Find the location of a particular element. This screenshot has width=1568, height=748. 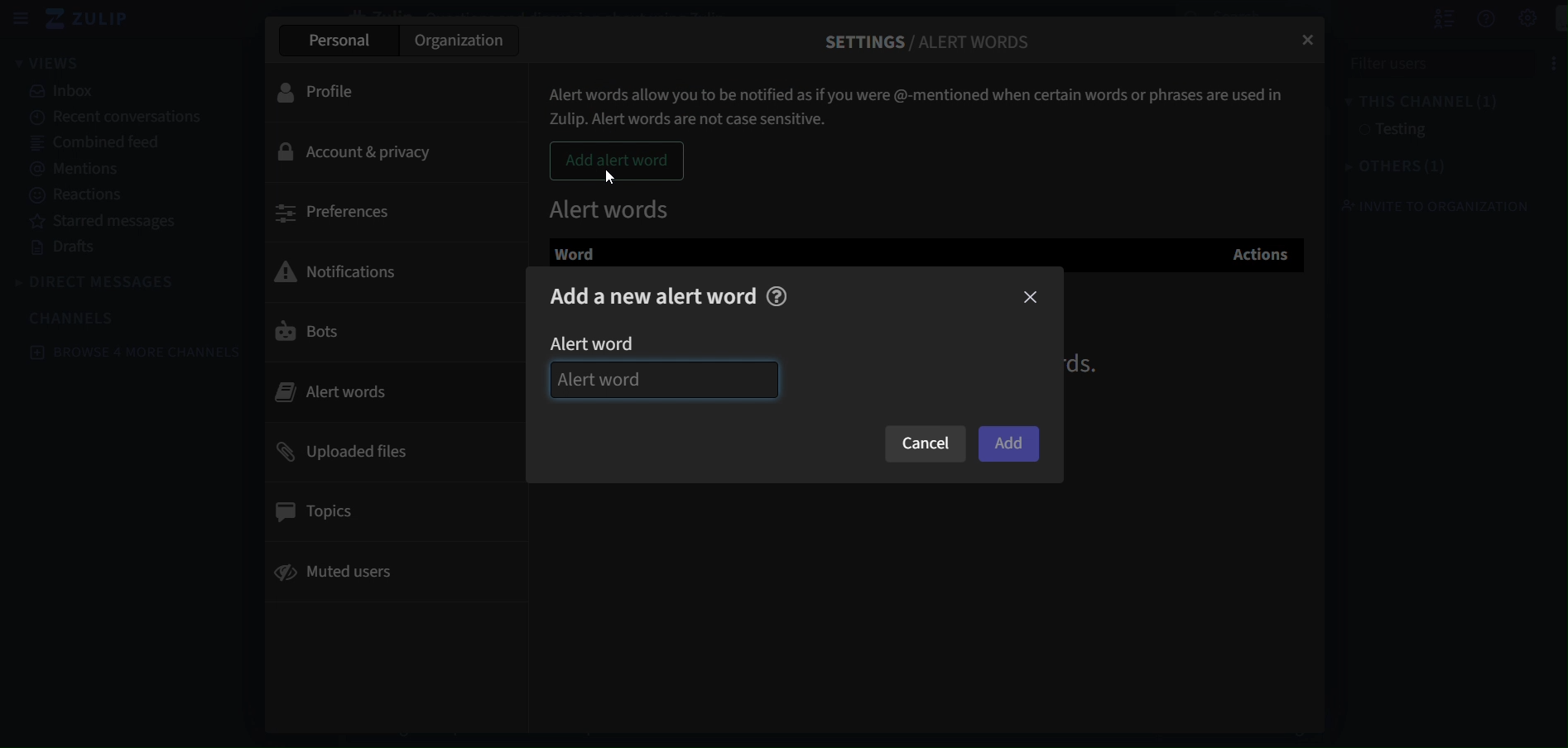

add is located at coordinates (1008, 443).